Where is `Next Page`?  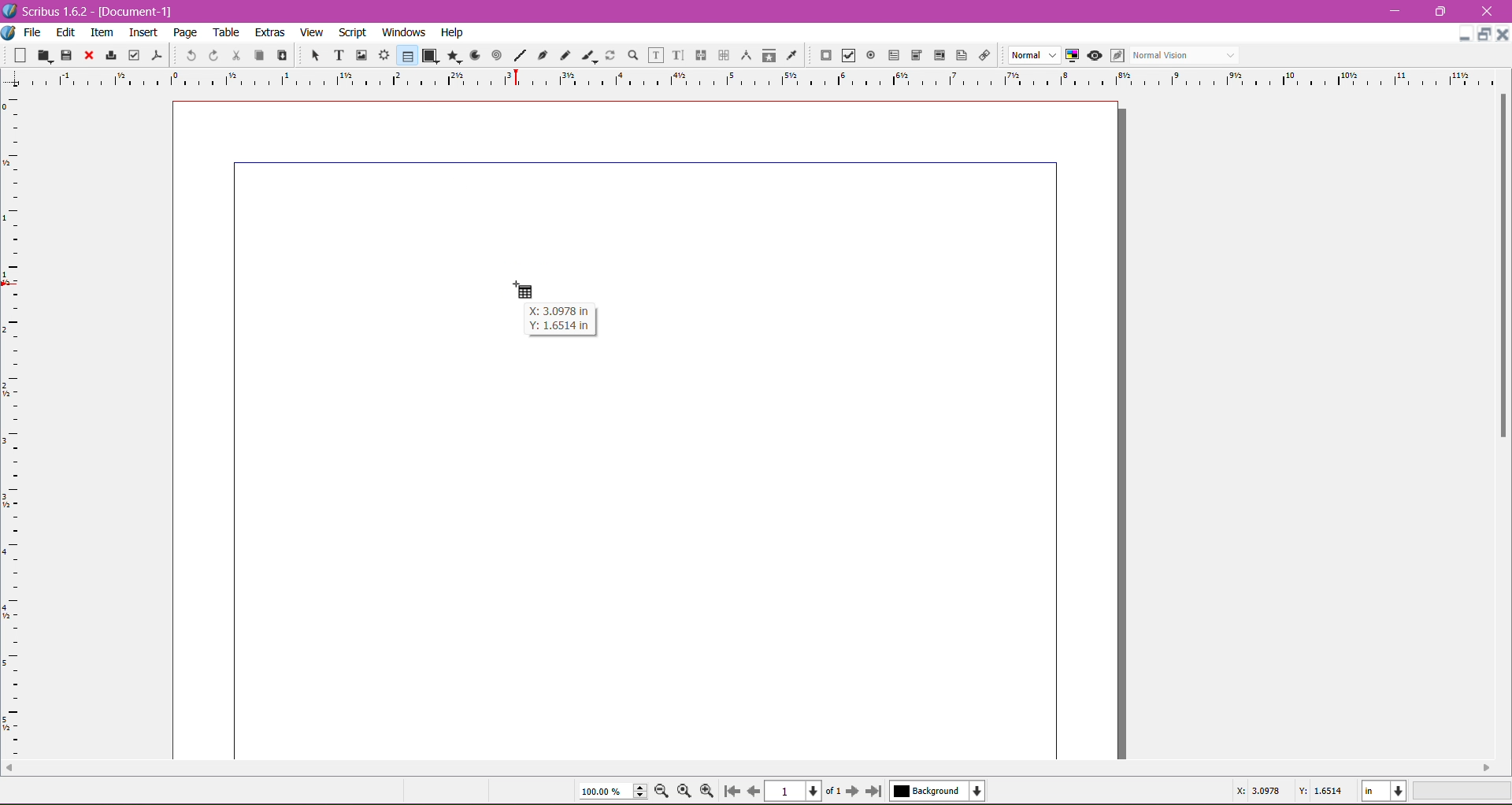
Next Page is located at coordinates (854, 790).